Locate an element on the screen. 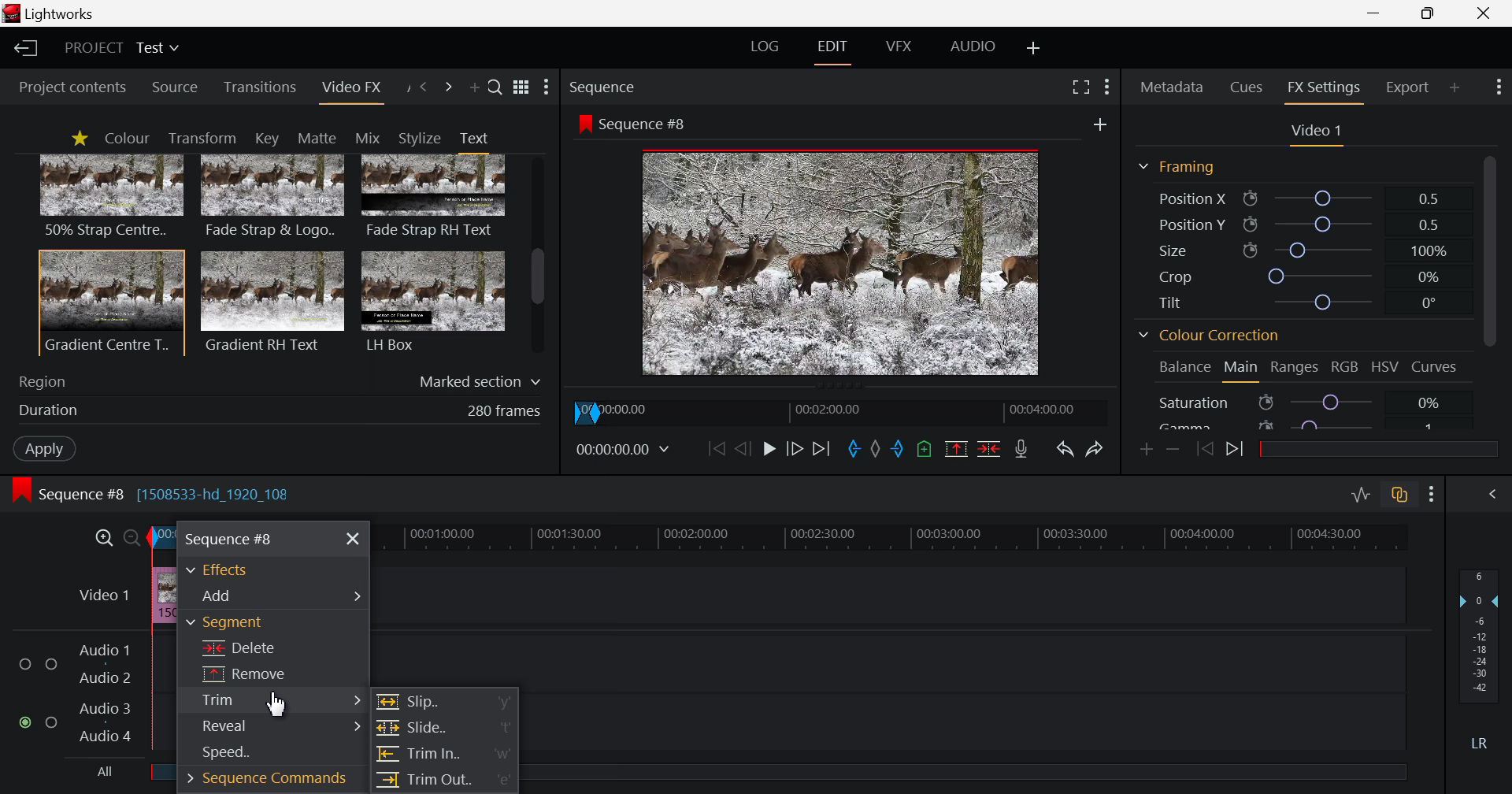  Close is located at coordinates (1485, 13).